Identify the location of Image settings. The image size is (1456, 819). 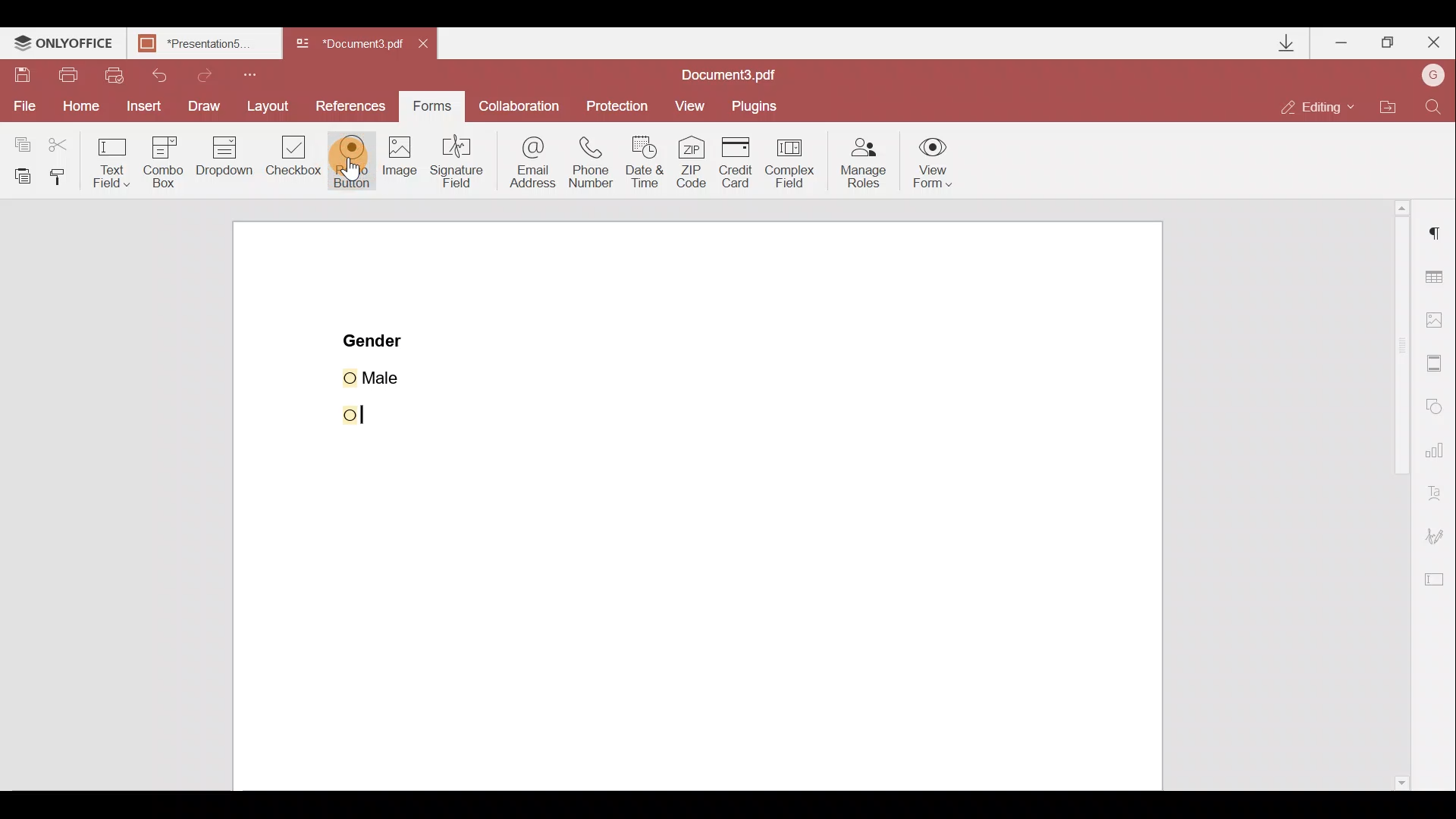
(1442, 321).